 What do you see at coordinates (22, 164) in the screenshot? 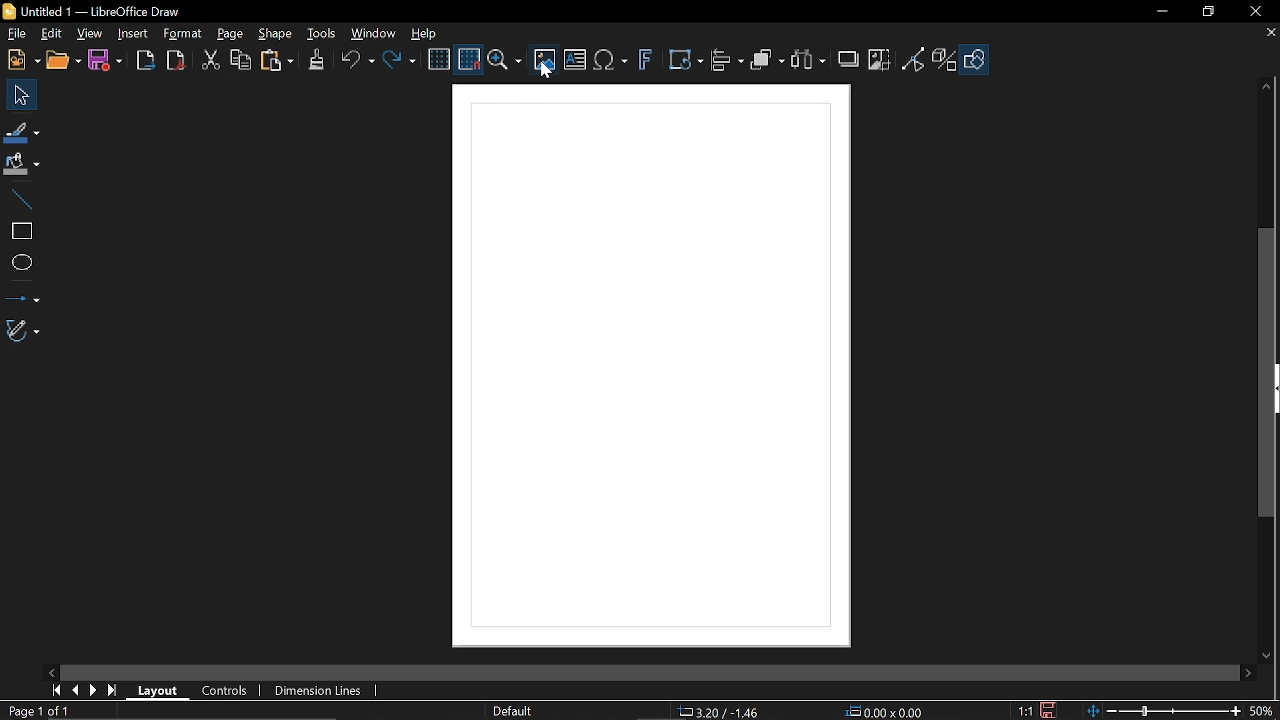
I see `Fill color` at bounding box center [22, 164].